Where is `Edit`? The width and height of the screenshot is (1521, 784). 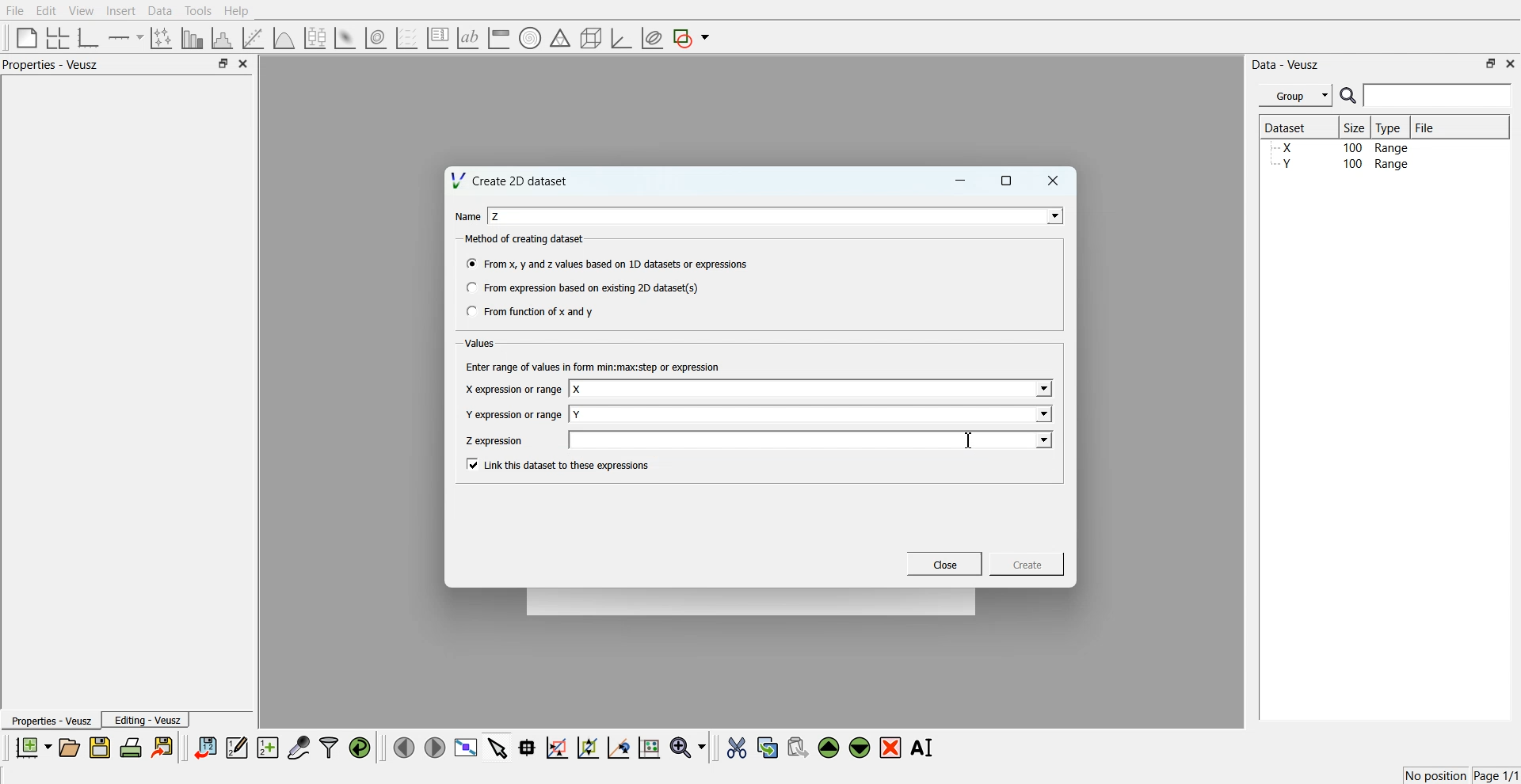
Edit is located at coordinates (45, 11).